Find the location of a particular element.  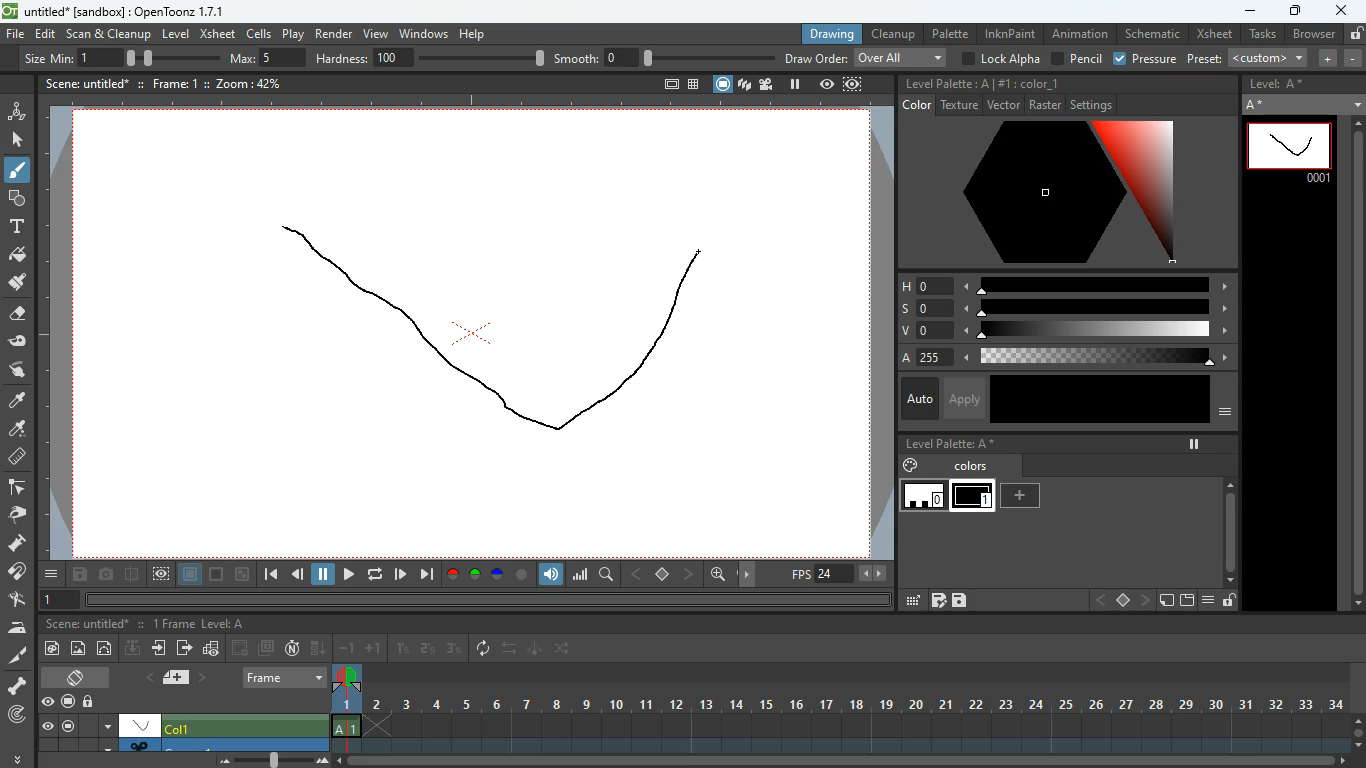

red is located at coordinates (452, 575).